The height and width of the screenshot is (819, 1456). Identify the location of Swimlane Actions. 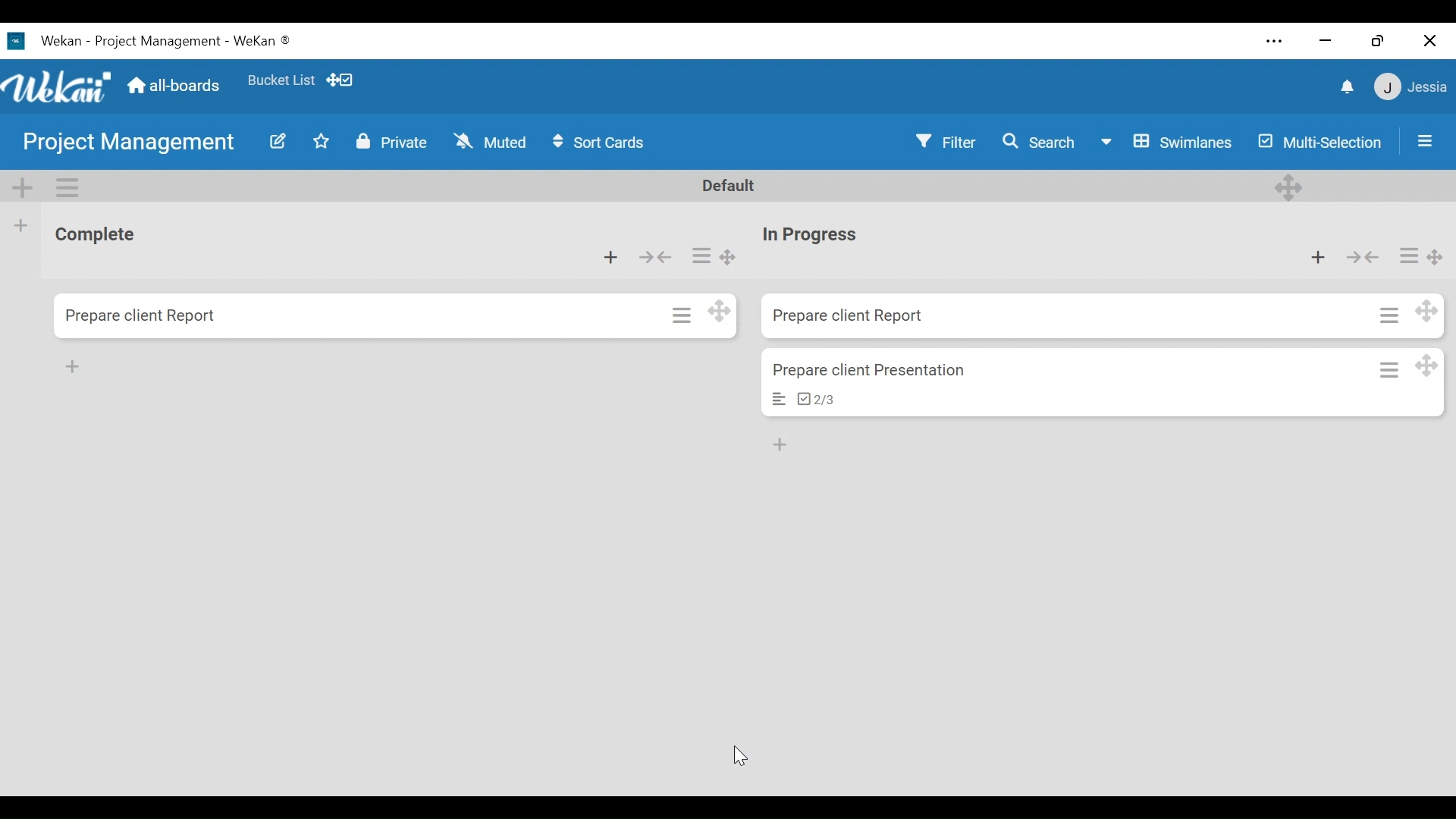
(69, 188).